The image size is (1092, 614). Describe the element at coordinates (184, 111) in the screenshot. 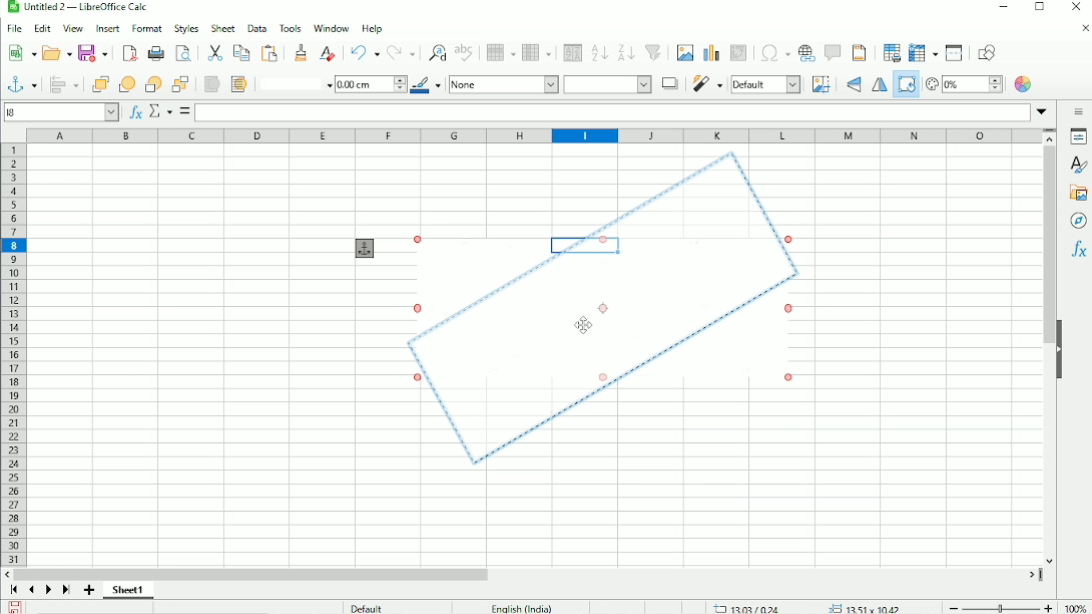

I see `Formula` at that location.